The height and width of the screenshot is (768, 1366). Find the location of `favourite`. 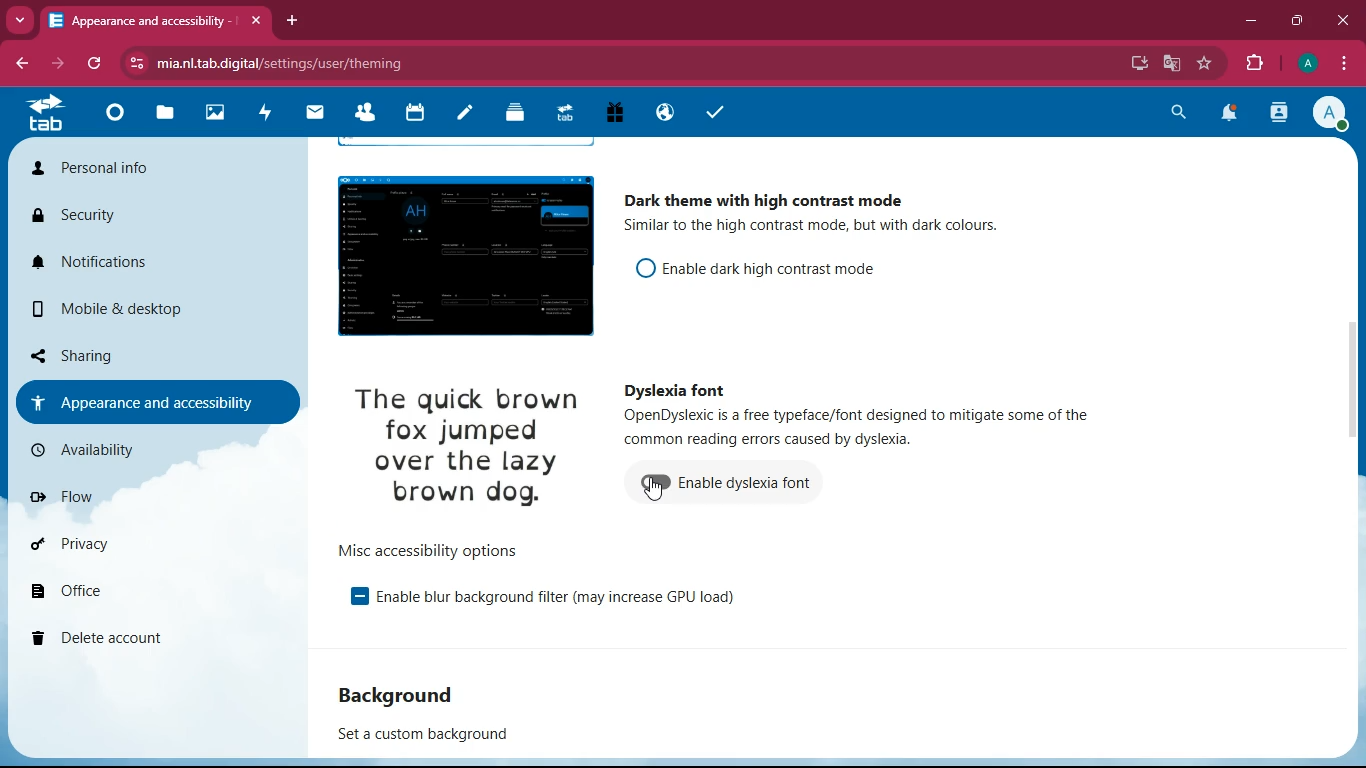

favourite is located at coordinates (1205, 63).